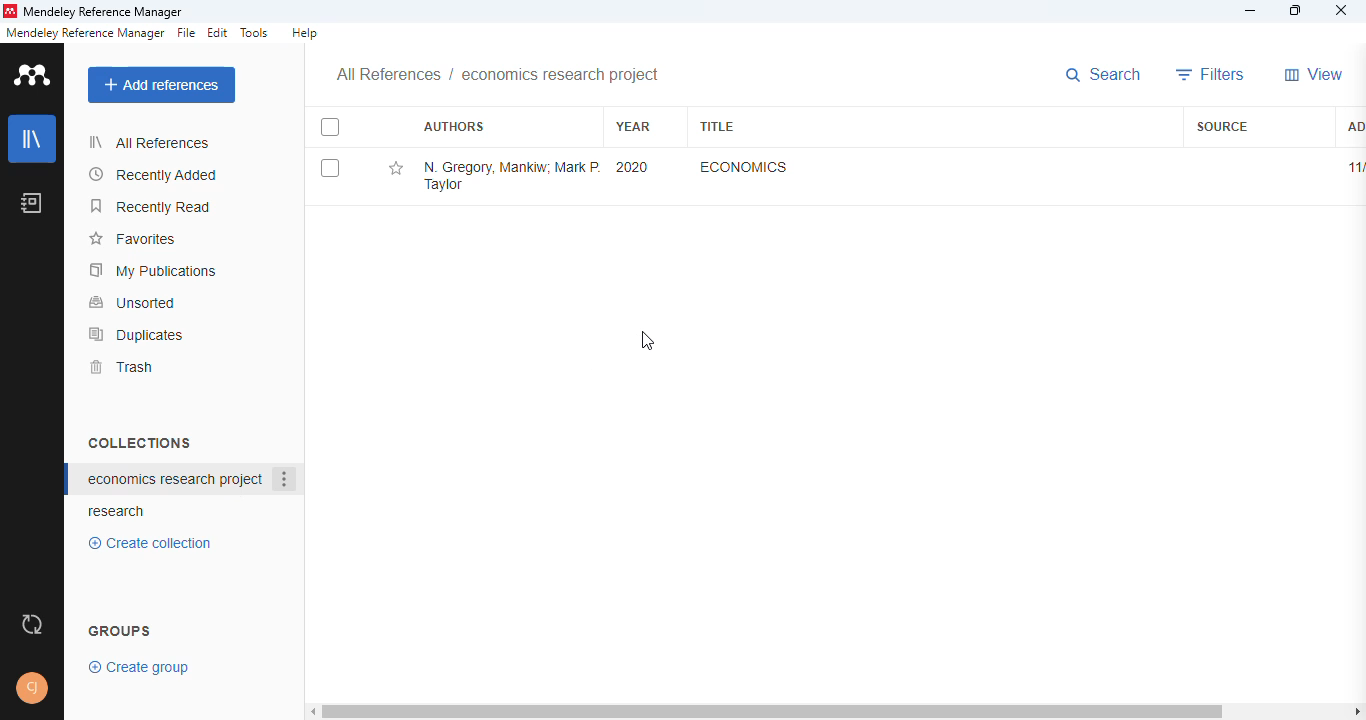 The width and height of the screenshot is (1366, 720). What do you see at coordinates (718, 127) in the screenshot?
I see `title` at bounding box center [718, 127].